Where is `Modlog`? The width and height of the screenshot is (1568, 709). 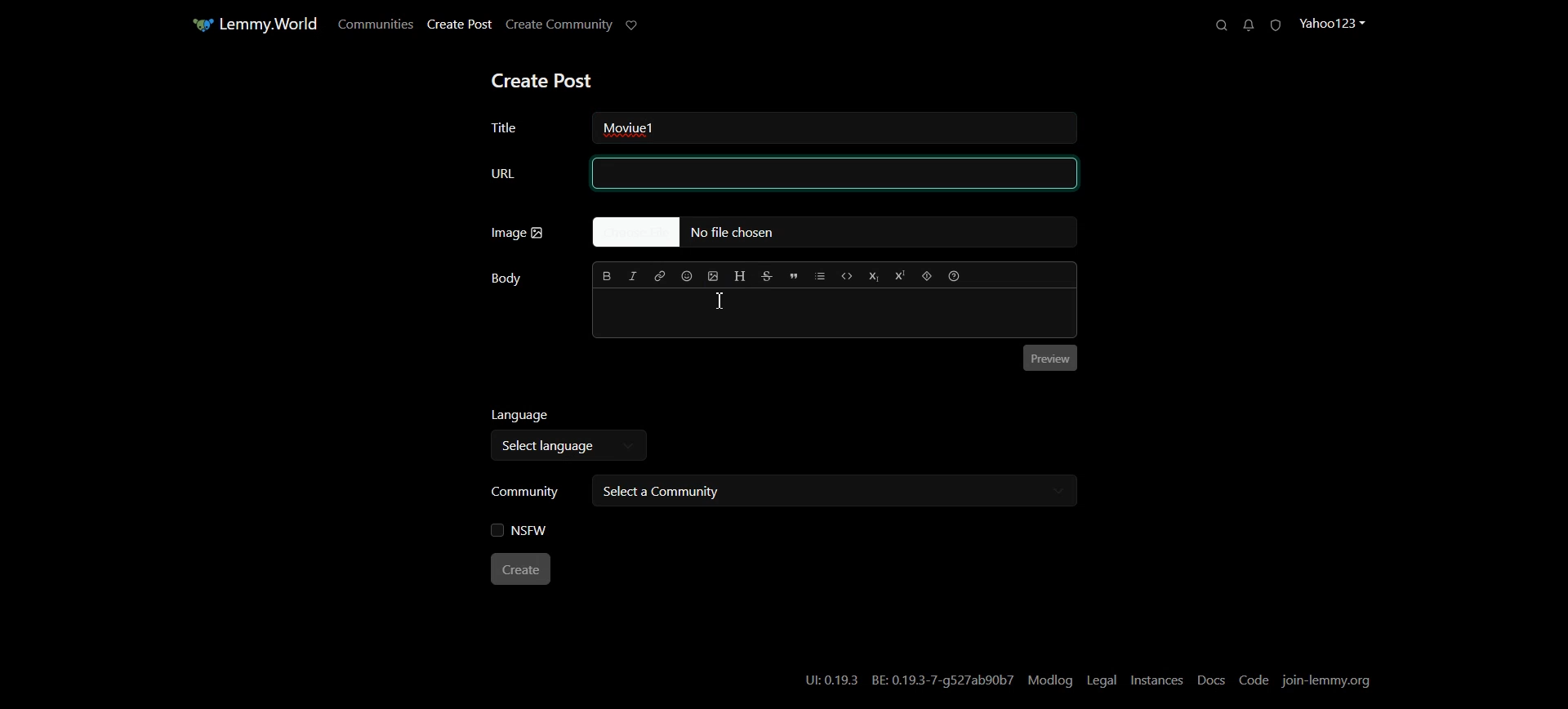 Modlog is located at coordinates (1052, 680).